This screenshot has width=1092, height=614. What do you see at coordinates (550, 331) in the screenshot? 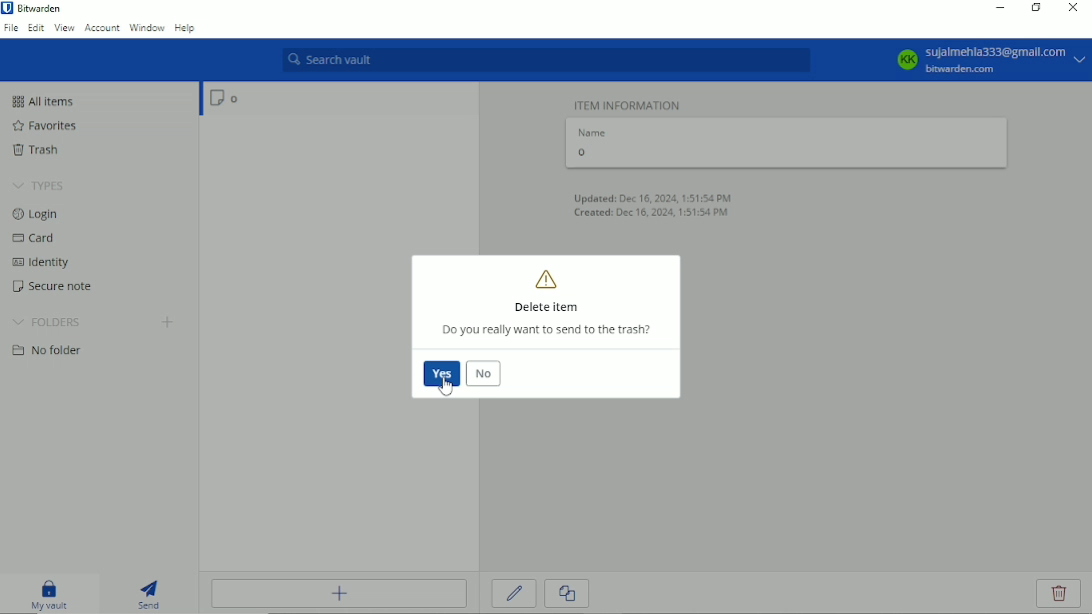
I see `Do you really want to send to the trash?` at bounding box center [550, 331].